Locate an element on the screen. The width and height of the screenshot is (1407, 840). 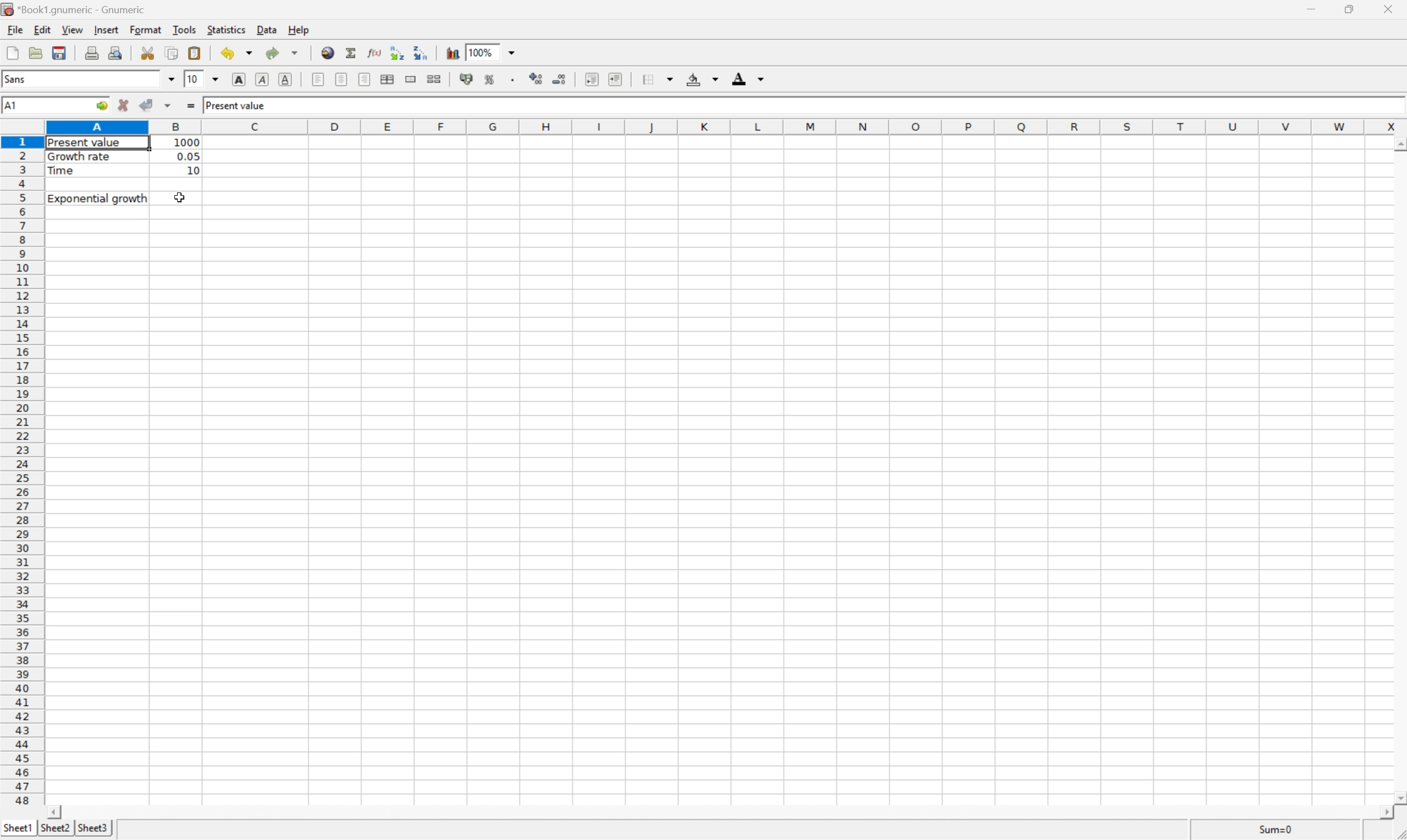
Restore Down is located at coordinates (1353, 8).